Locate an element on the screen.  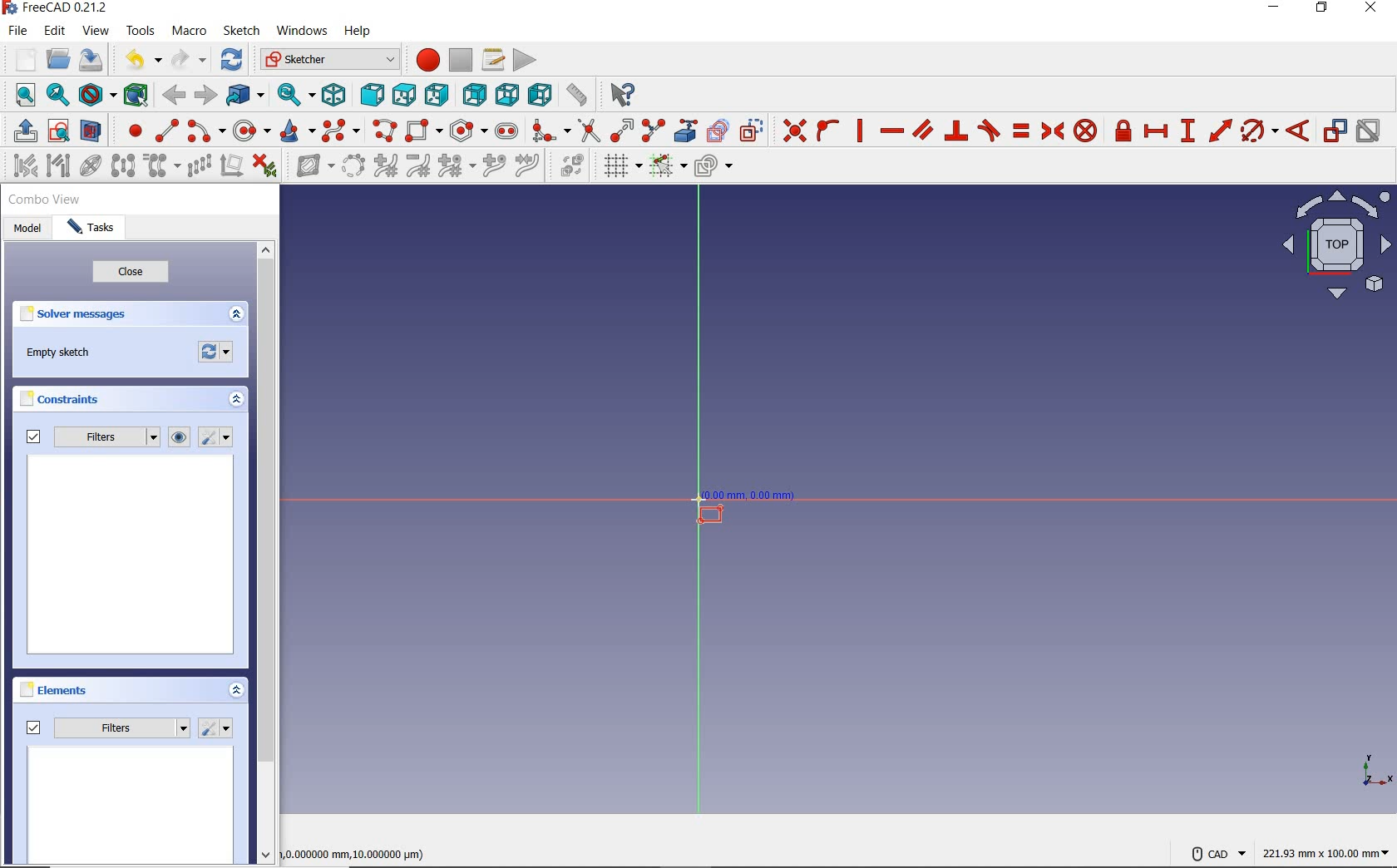
show or hide all listed constraints from 3D view is located at coordinates (180, 437).